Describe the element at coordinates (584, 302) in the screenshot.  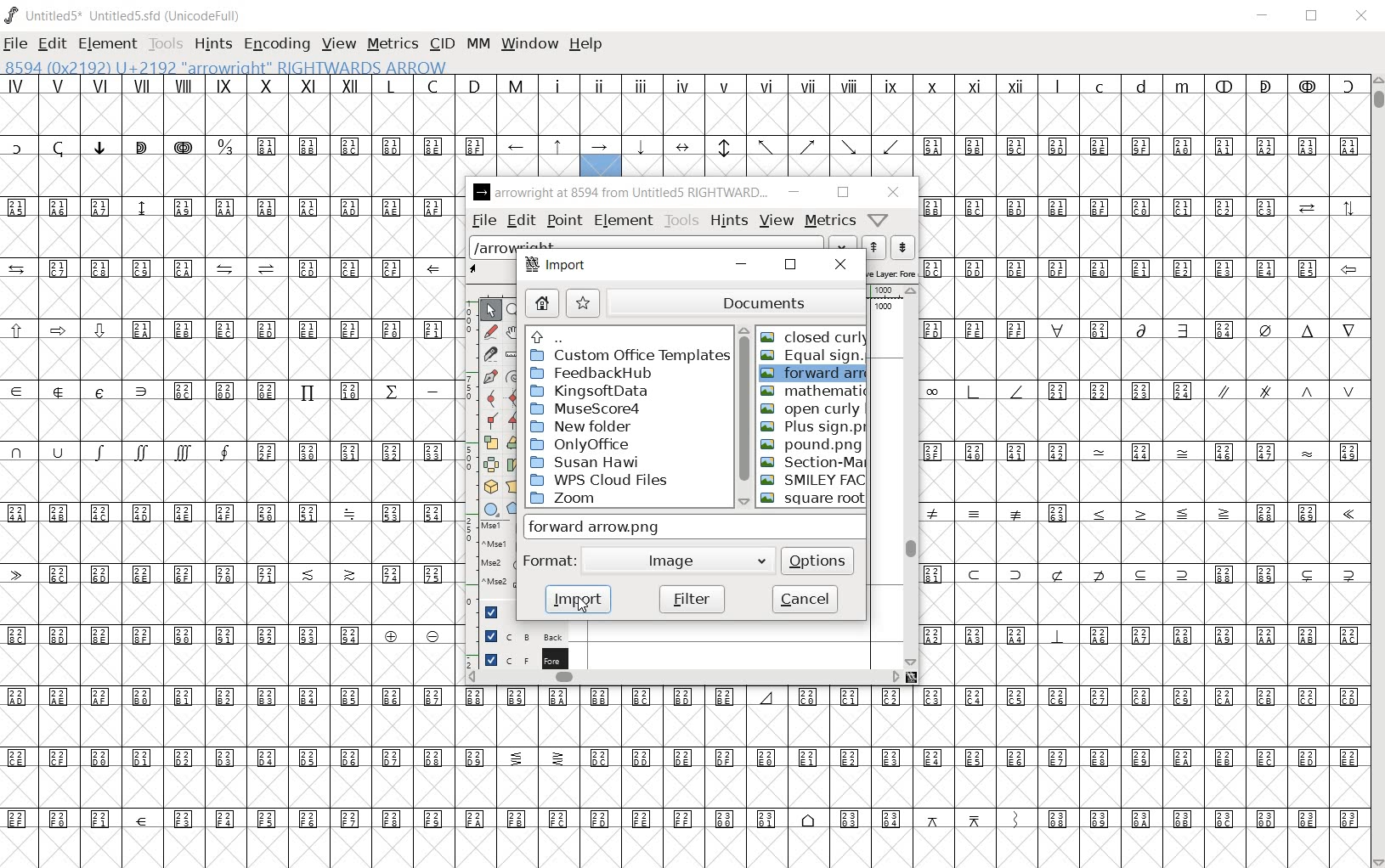
I see `star` at that location.